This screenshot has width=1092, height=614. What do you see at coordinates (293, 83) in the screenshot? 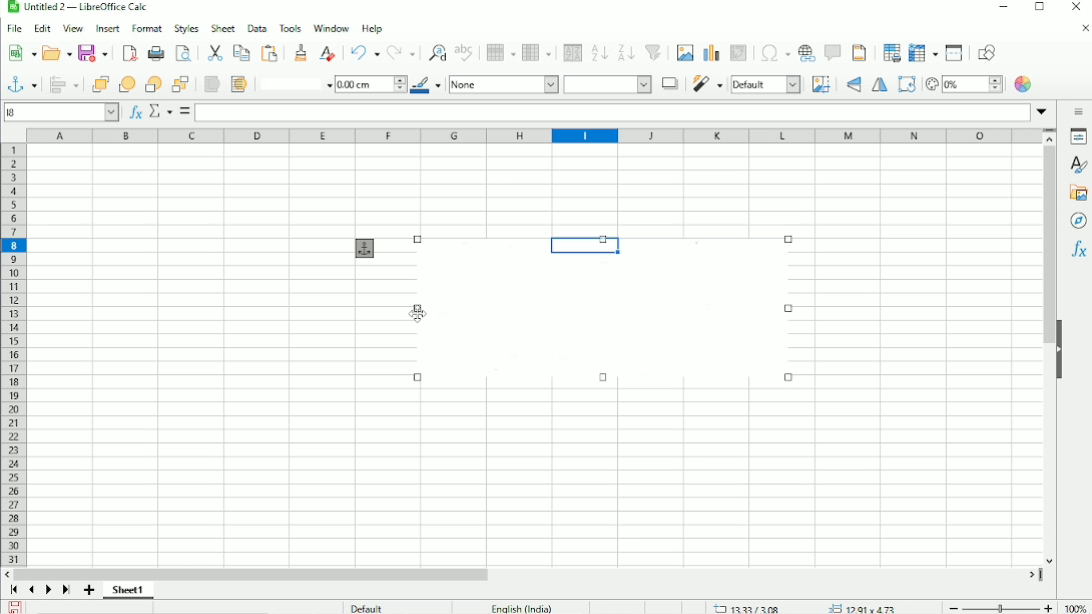
I see `Line style` at bounding box center [293, 83].